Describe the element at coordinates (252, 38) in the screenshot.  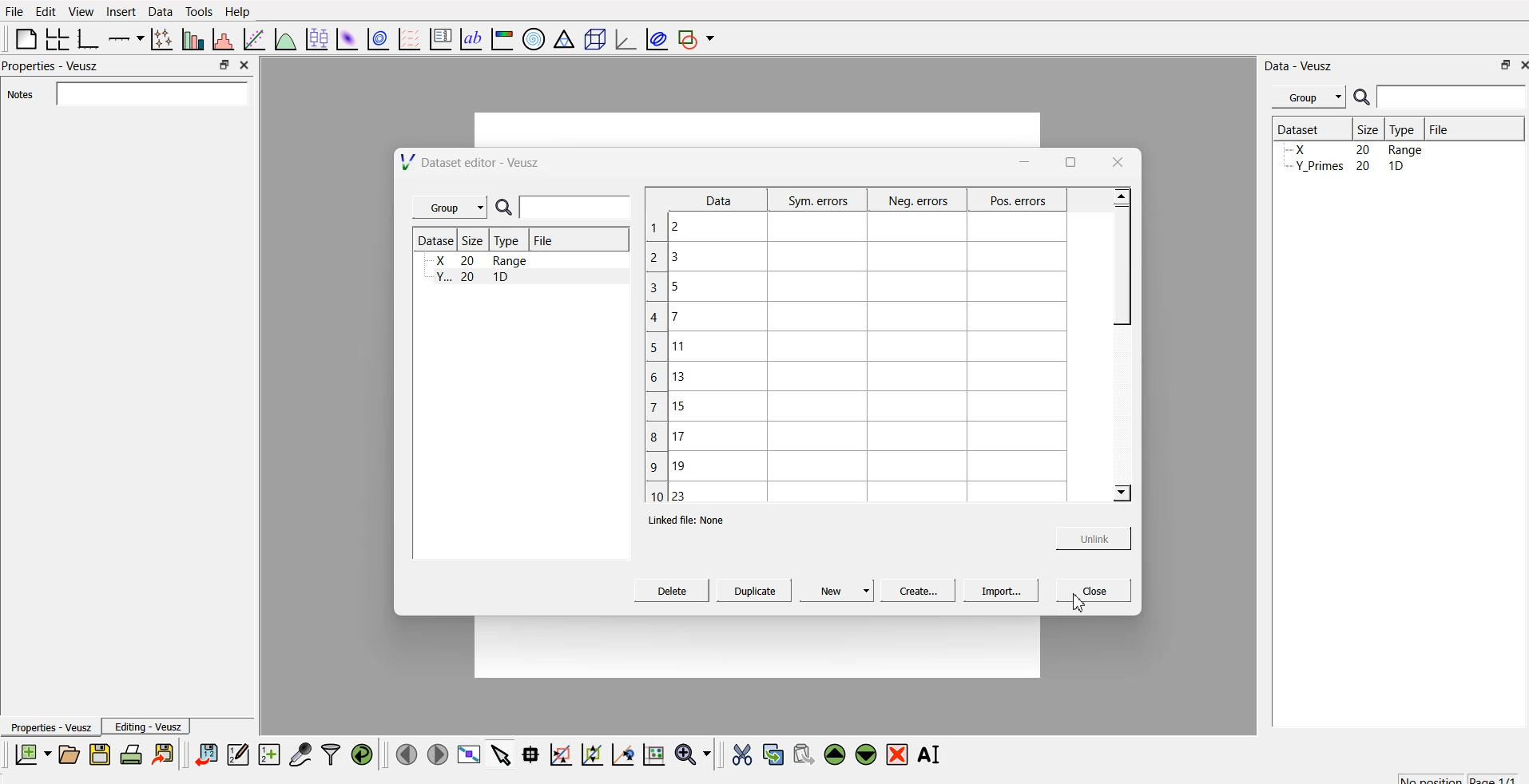
I see `fit function to data` at that location.